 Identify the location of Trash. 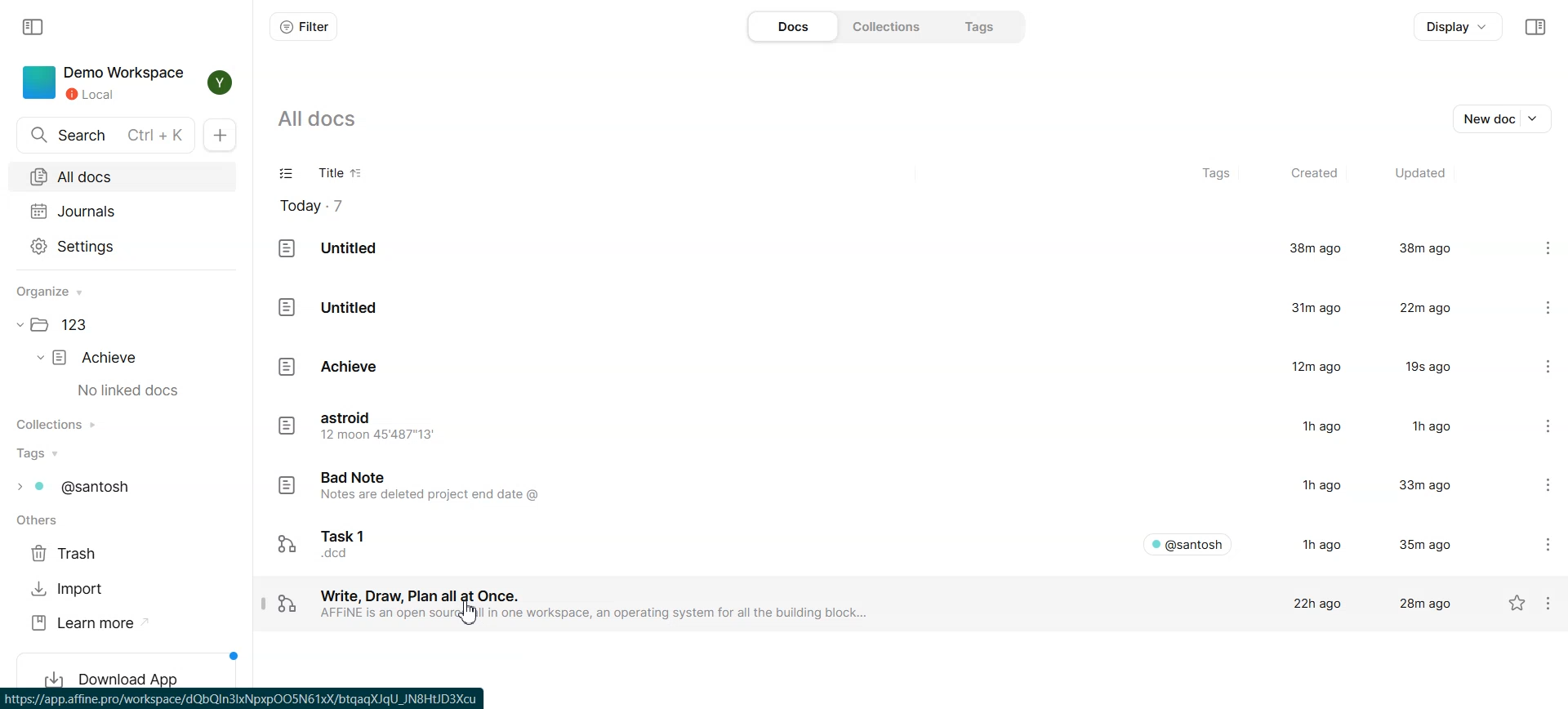
(69, 554).